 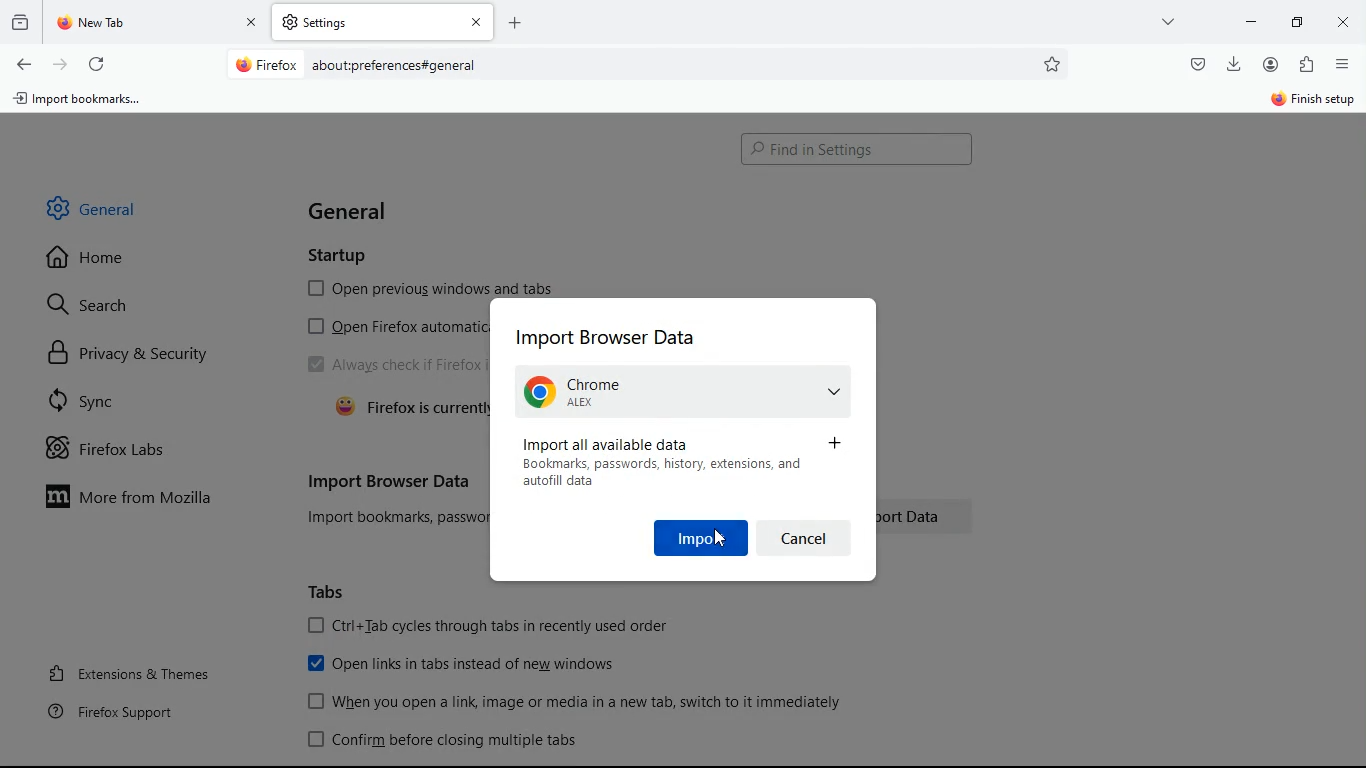 What do you see at coordinates (24, 66) in the screenshot?
I see `back` at bounding box center [24, 66].